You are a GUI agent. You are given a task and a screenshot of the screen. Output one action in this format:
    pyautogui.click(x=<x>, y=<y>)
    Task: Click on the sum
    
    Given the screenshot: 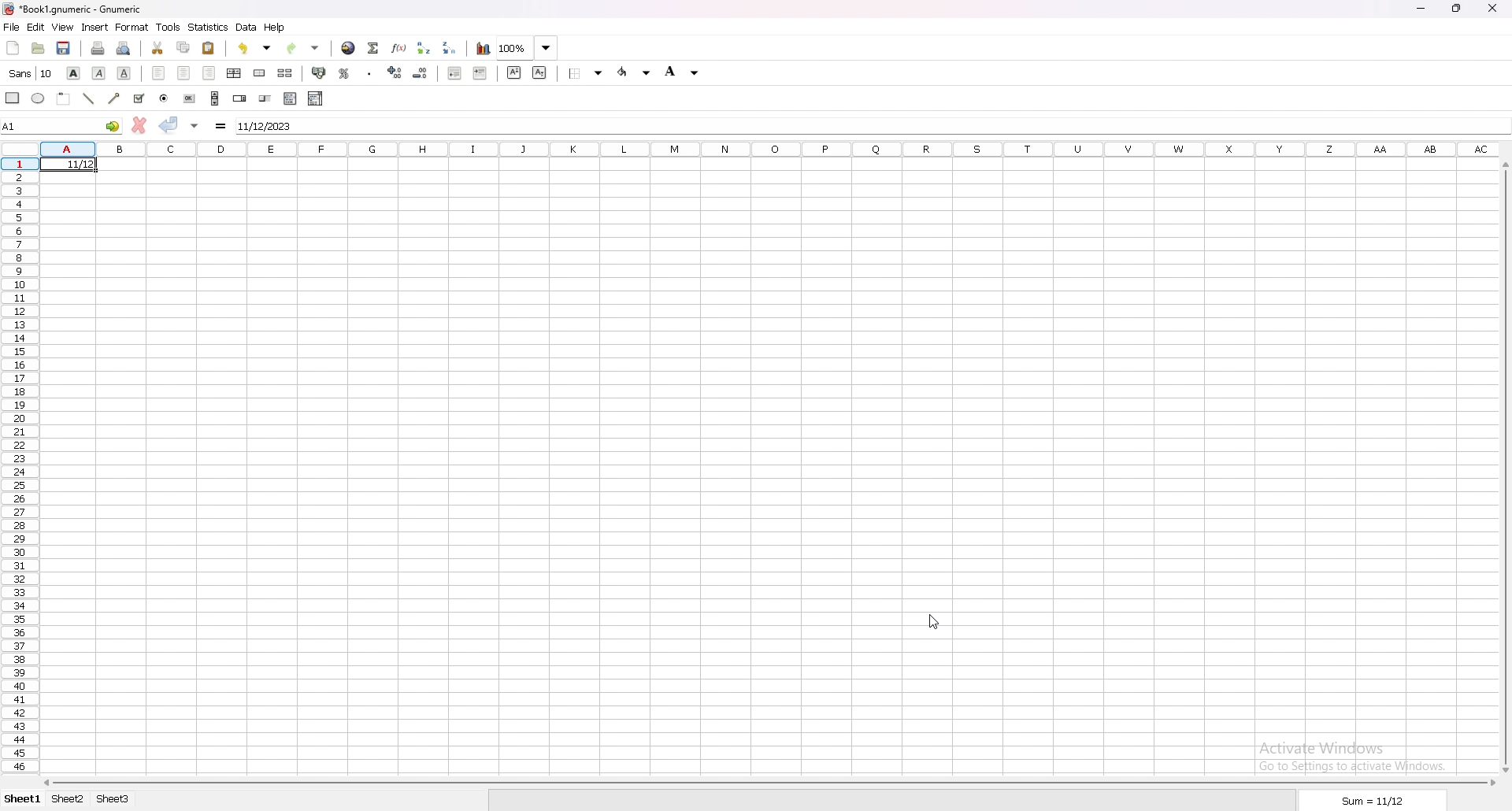 What is the action you would take?
    pyautogui.click(x=1373, y=801)
    